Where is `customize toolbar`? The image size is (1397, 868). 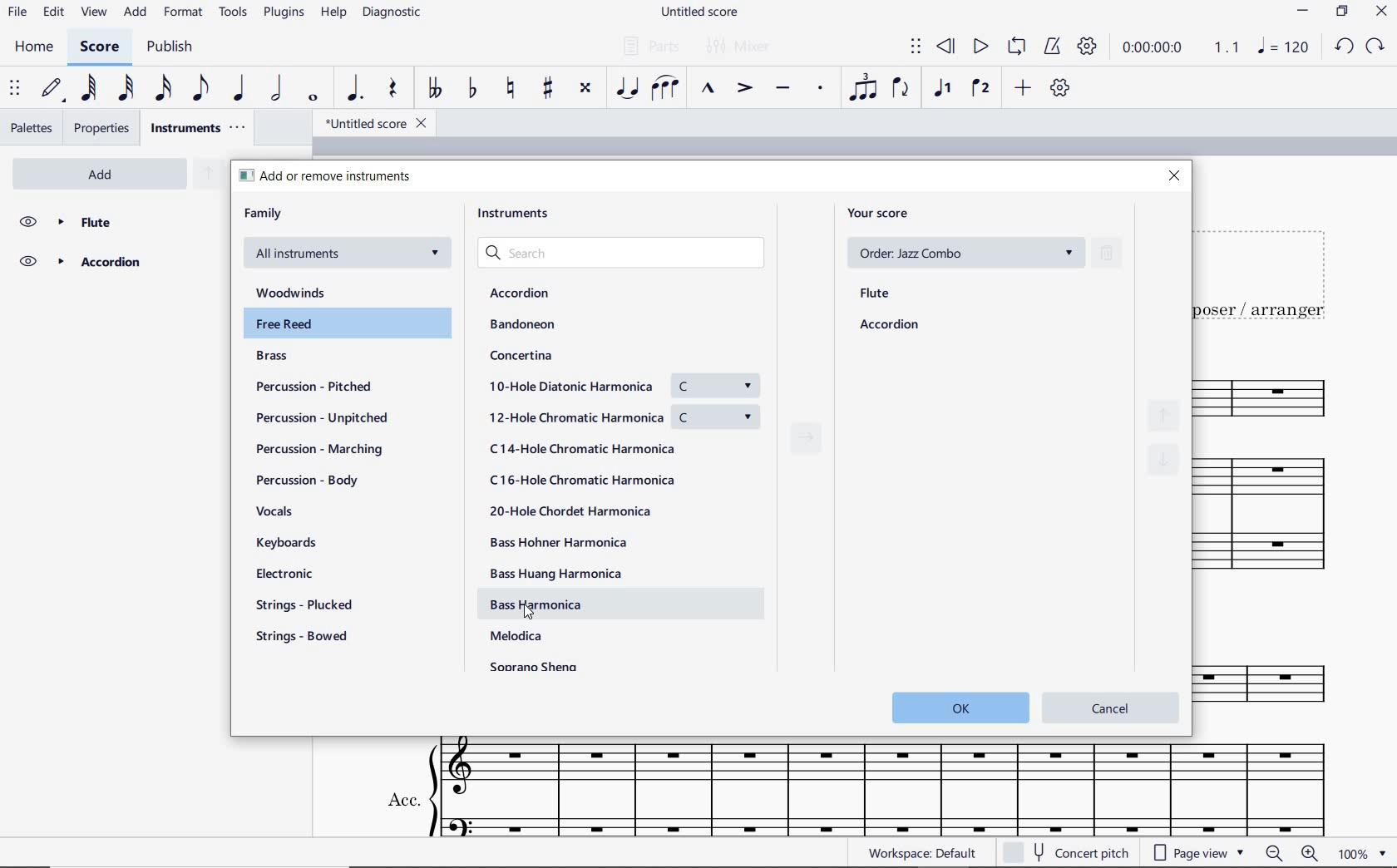 customize toolbar is located at coordinates (1062, 88).